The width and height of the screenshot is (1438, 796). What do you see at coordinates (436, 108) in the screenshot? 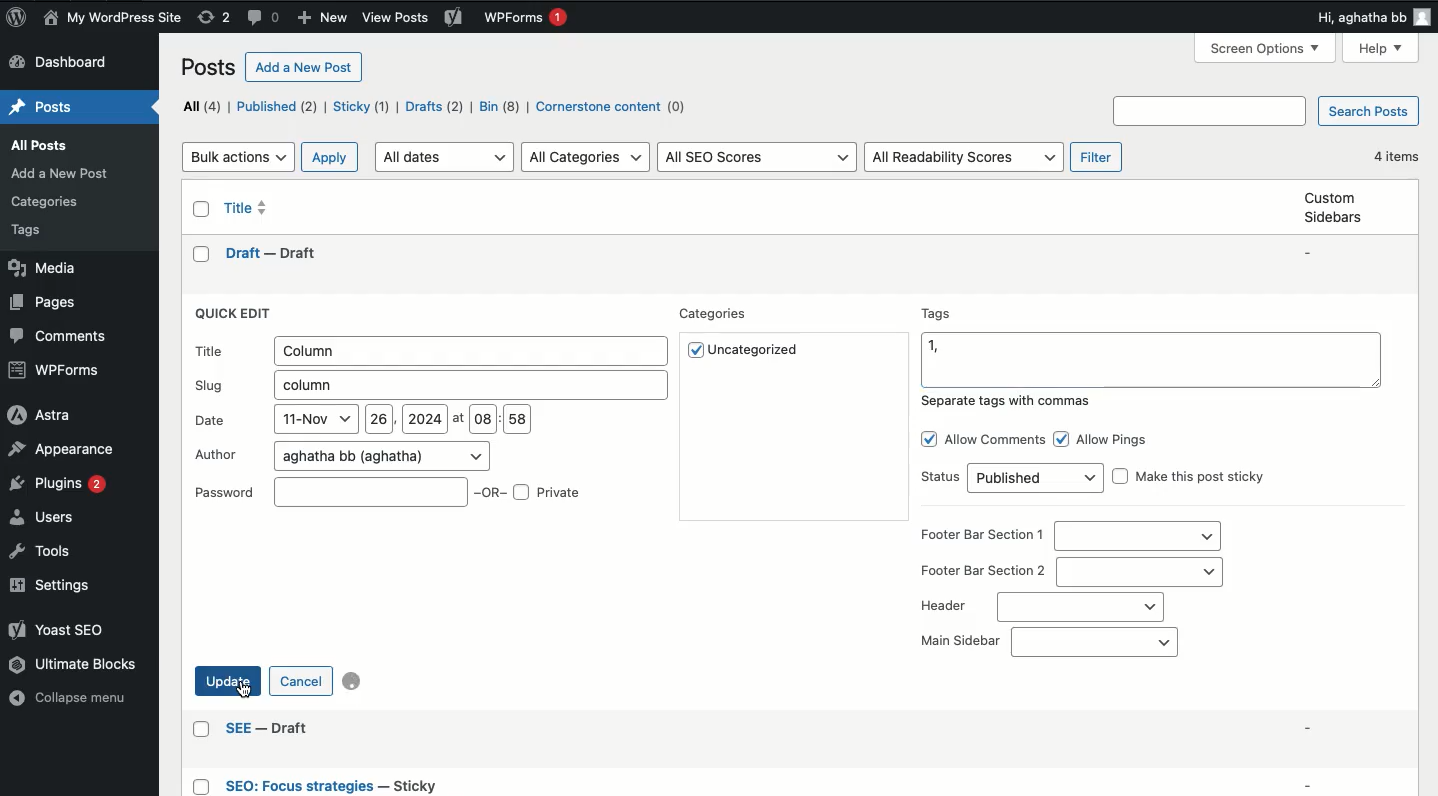
I see `Drafts` at bounding box center [436, 108].